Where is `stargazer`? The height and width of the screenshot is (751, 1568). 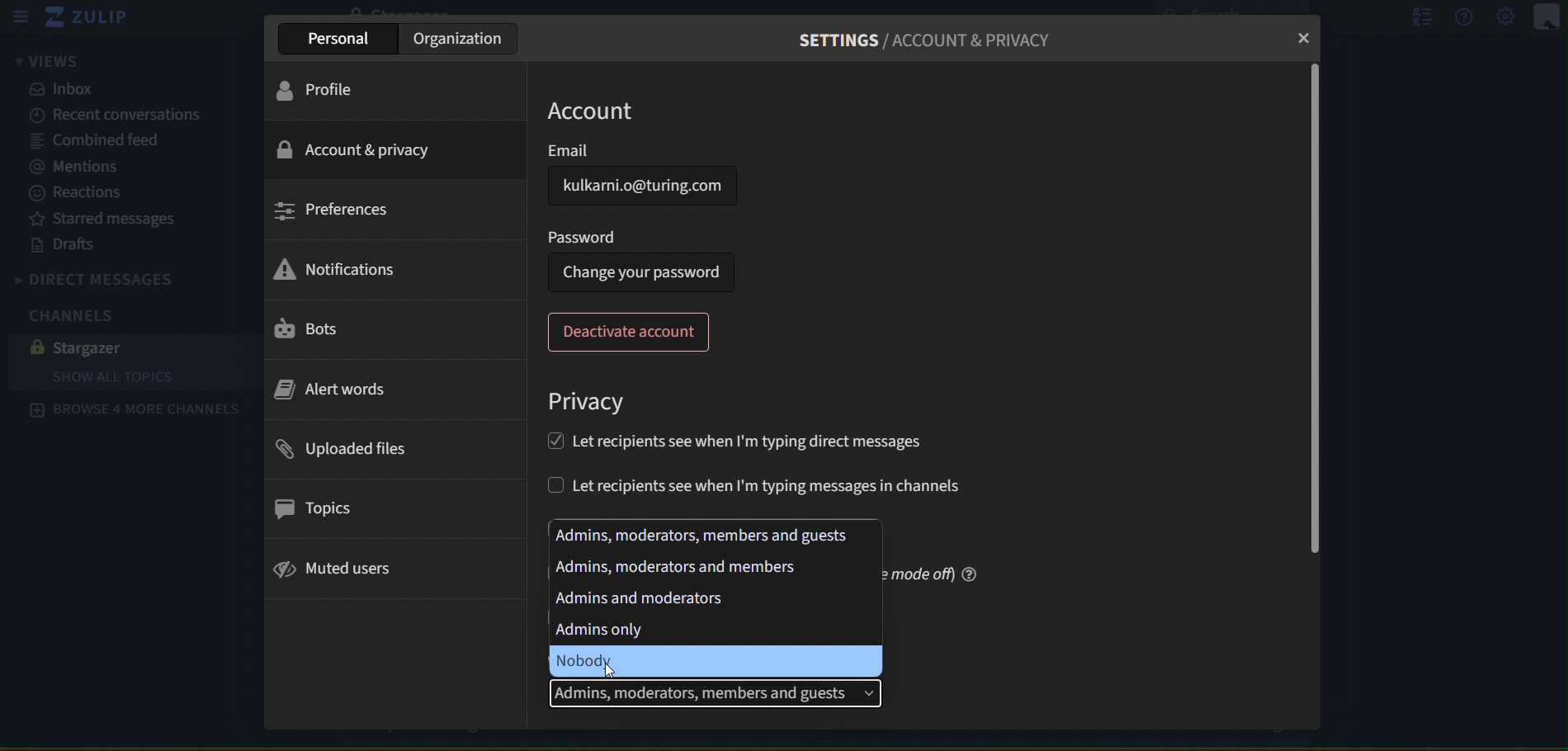
stargazer is located at coordinates (86, 347).